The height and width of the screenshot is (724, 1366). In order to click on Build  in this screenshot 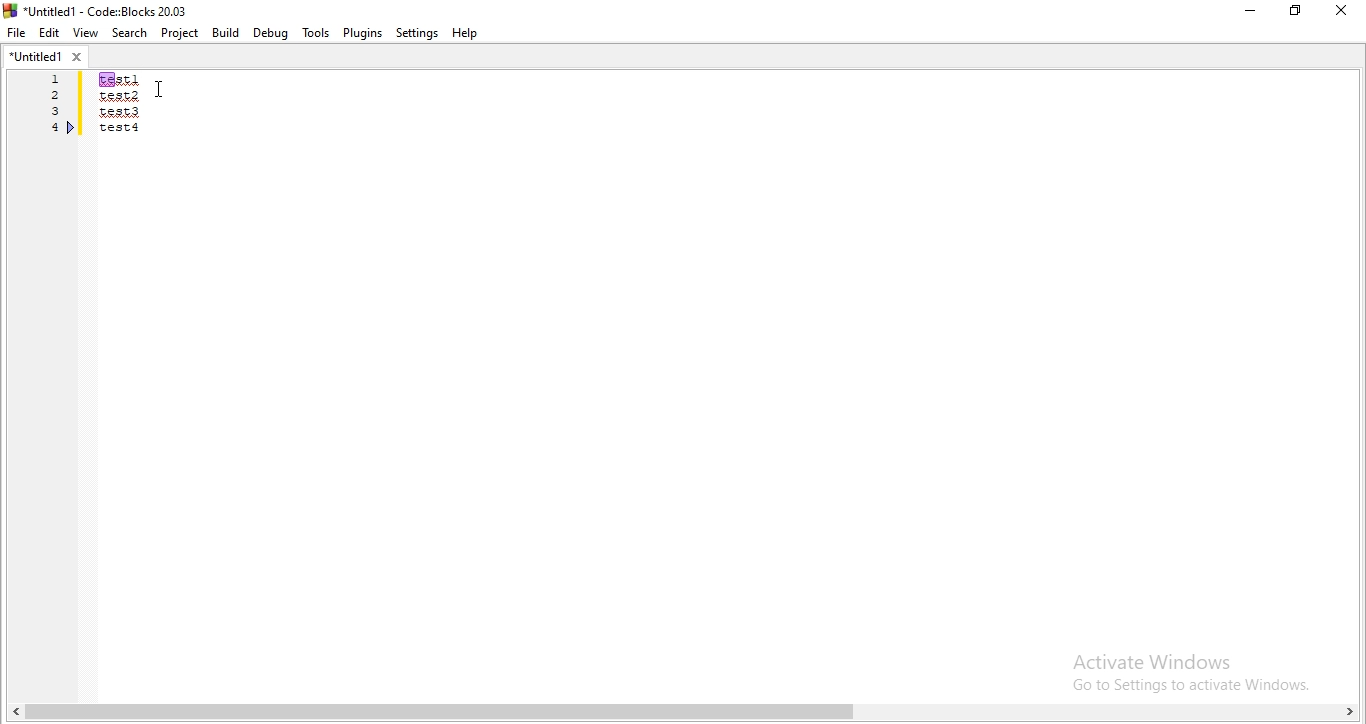, I will do `click(226, 32)`.